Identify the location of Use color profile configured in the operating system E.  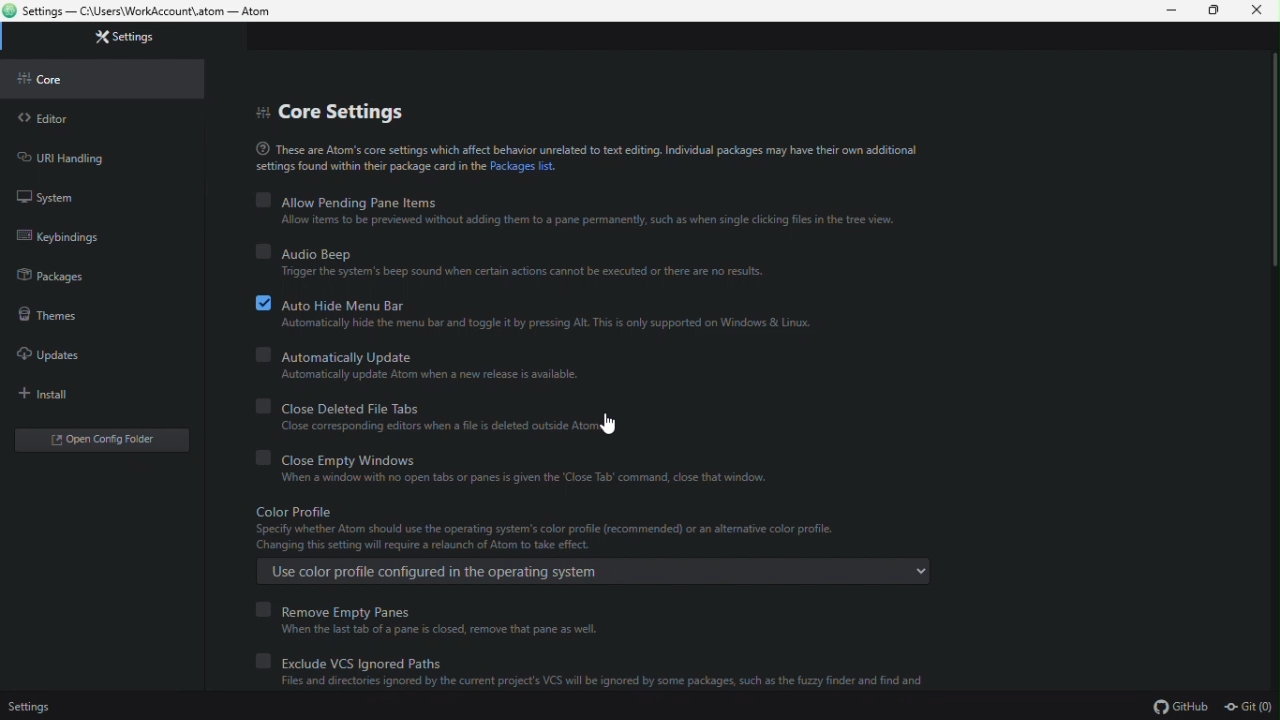
(588, 572).